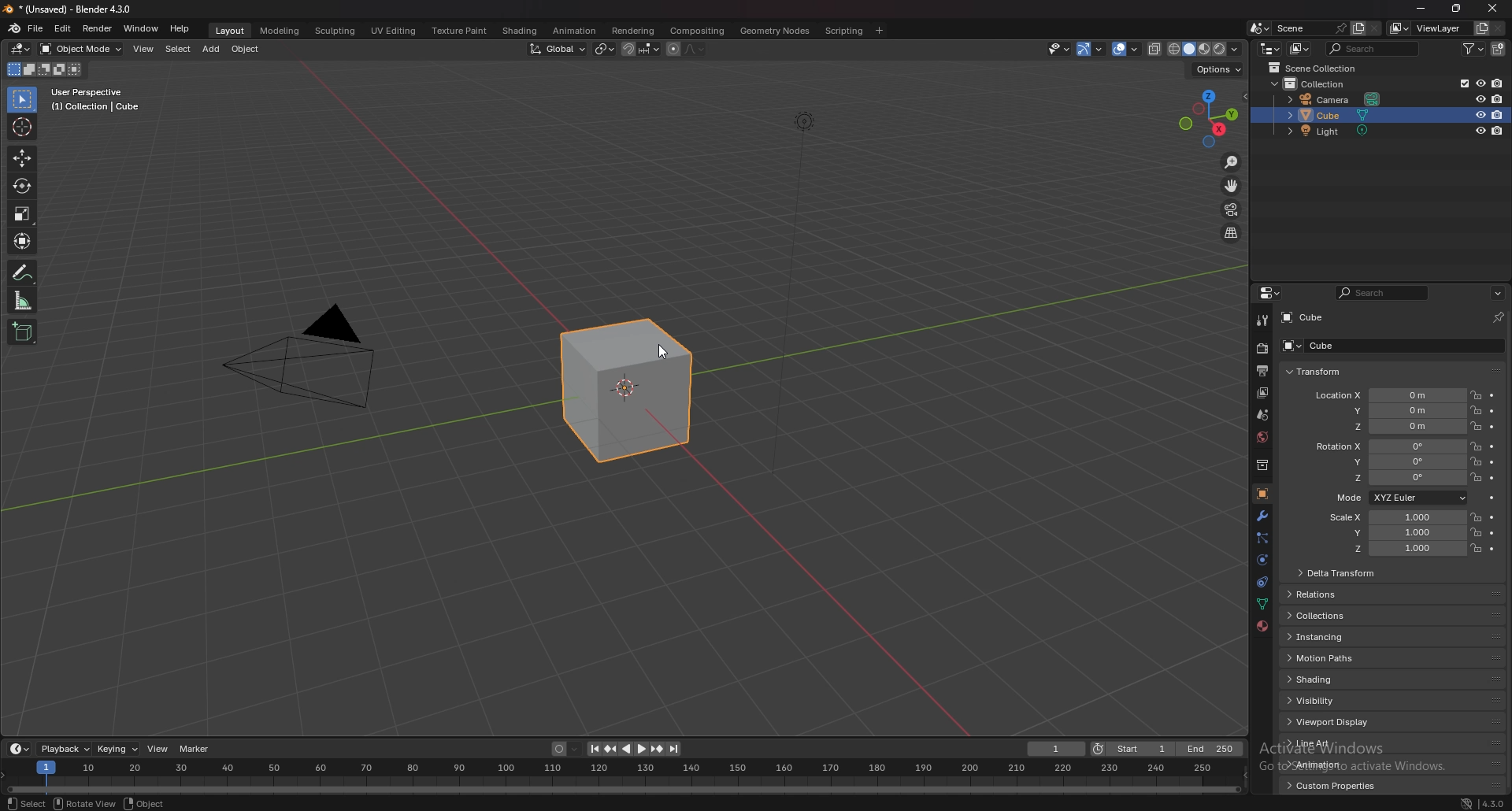 The image size is (1512, 811). I want to click on line art, so click(1327, 744).